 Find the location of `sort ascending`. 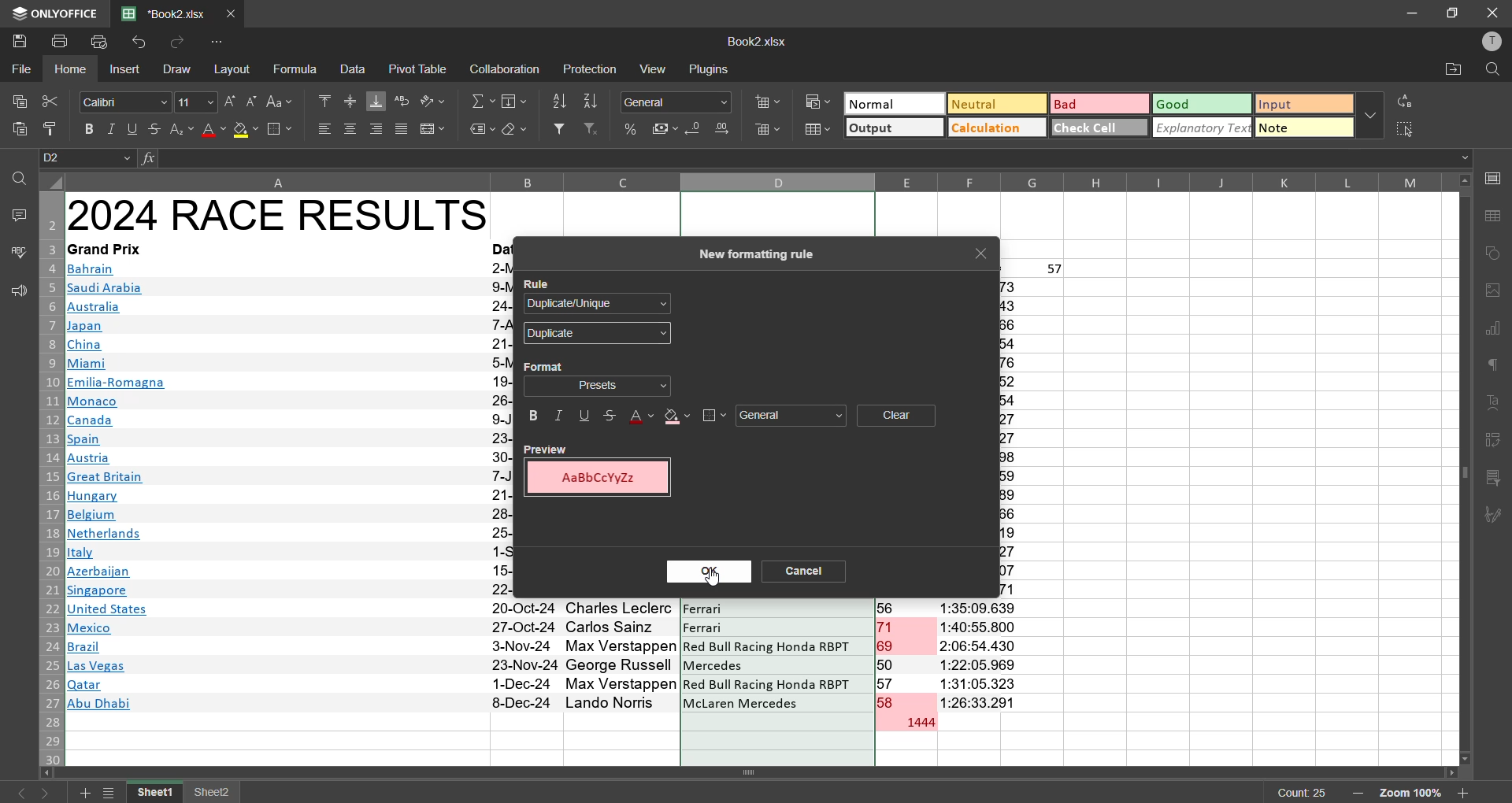

sort ascending is located at coordinates (559, 102).